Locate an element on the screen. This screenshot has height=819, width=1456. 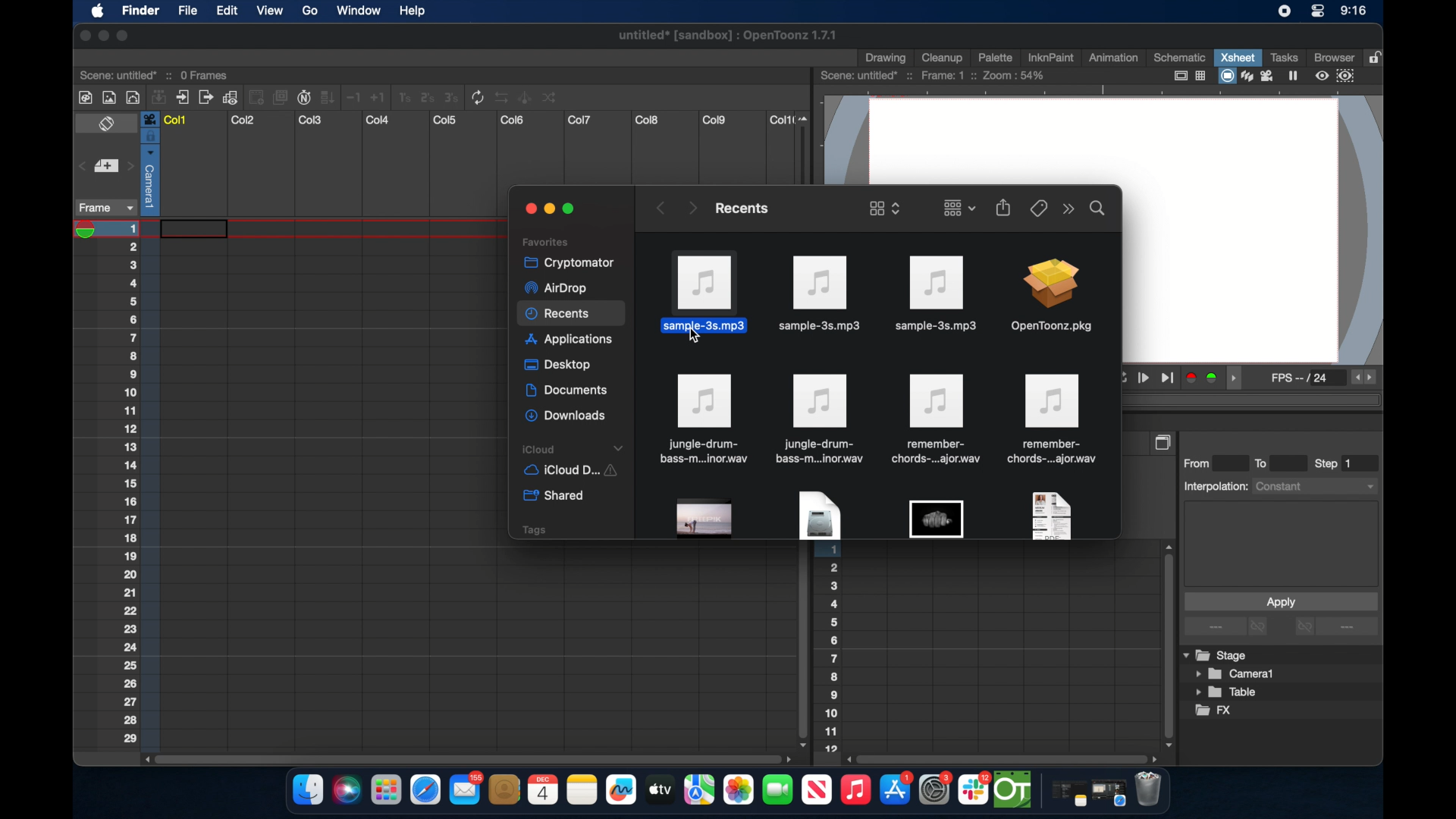
file name is located at coordinates (729, 38).